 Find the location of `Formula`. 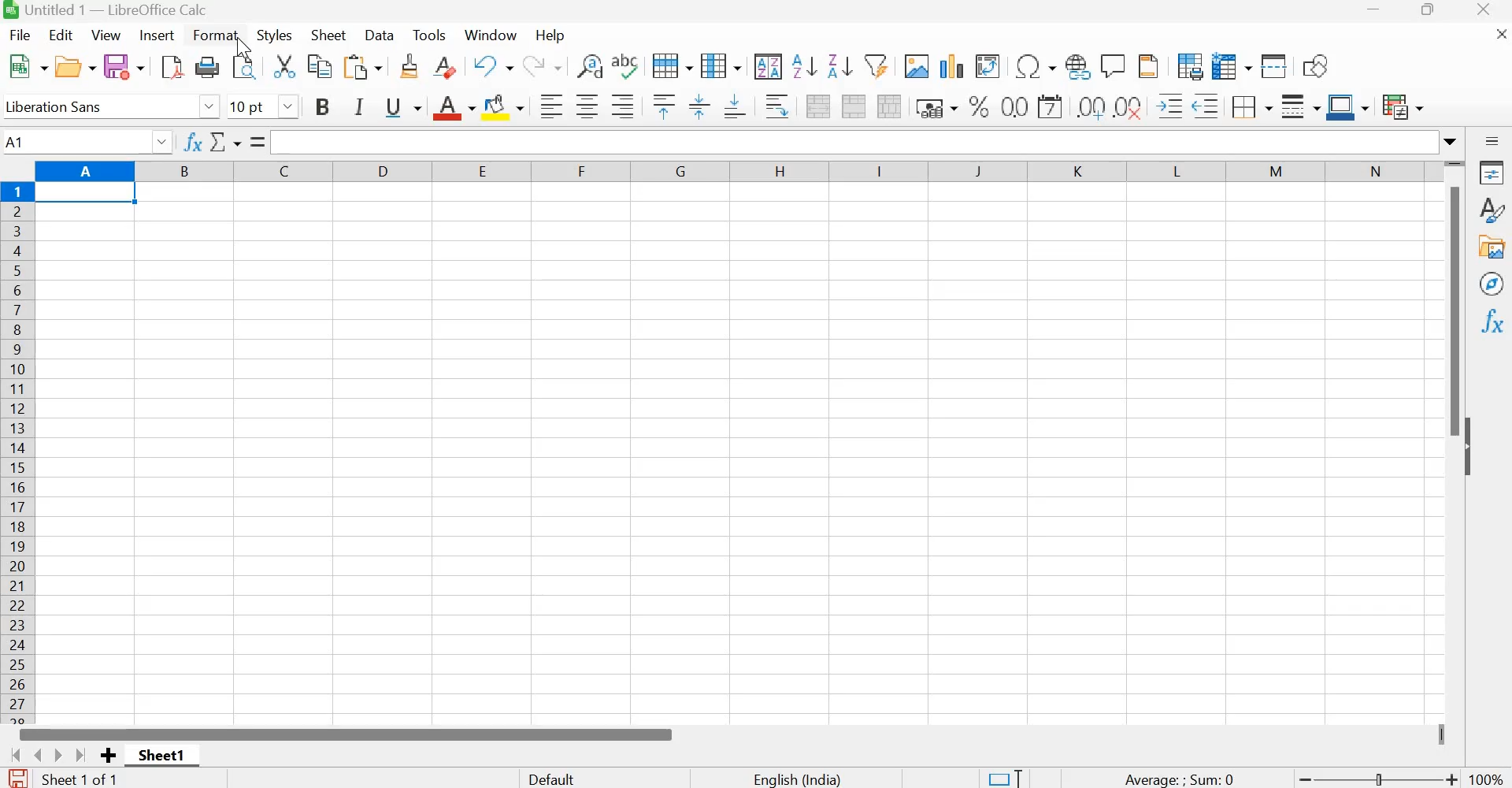

Formula is located at coordinates (256, 142).